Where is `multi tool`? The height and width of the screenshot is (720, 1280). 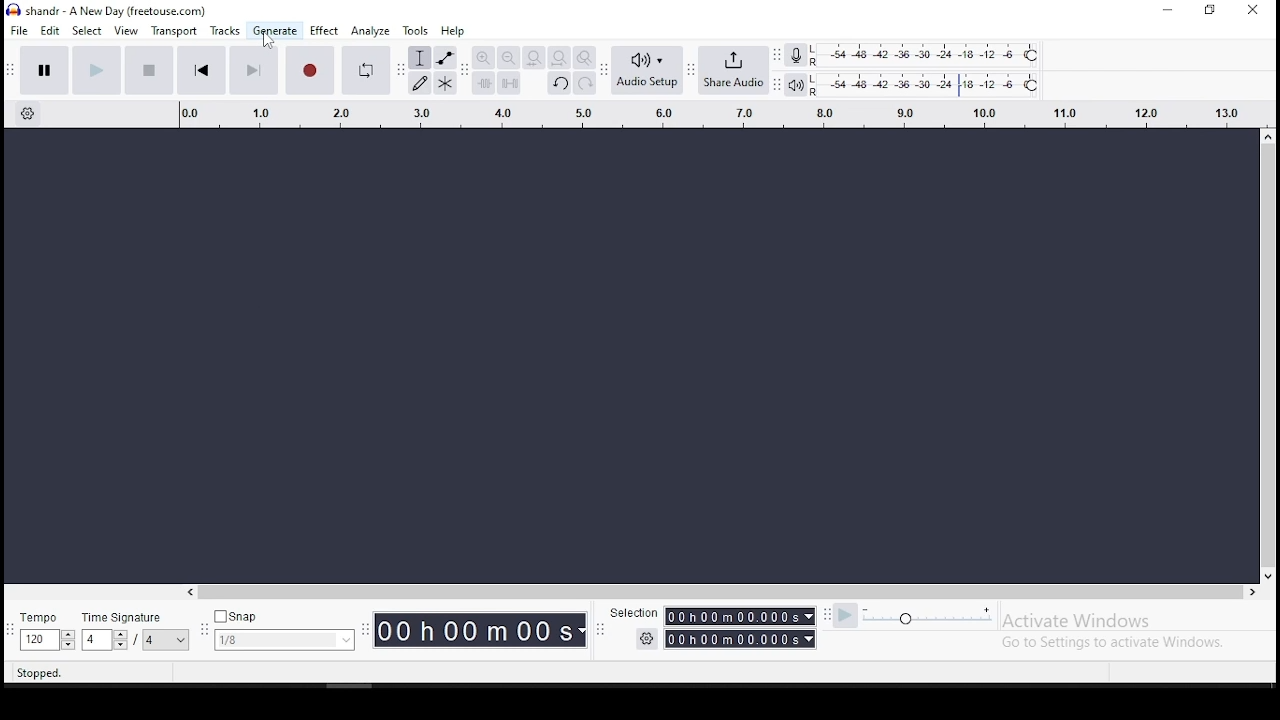 multi tool is located at coordinates (446, 82).